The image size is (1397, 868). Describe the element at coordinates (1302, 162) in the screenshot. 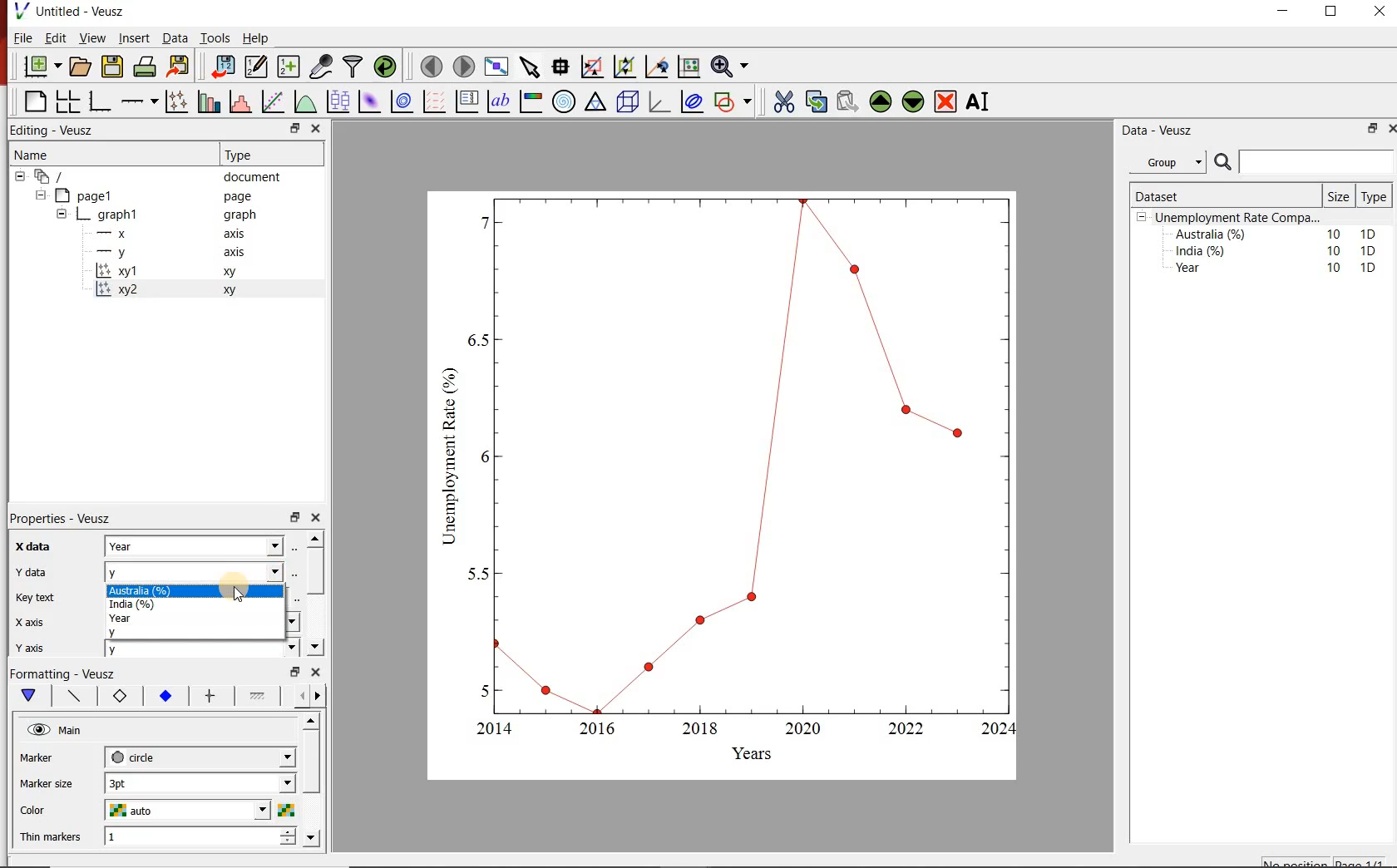

I see `search bar` at that location.